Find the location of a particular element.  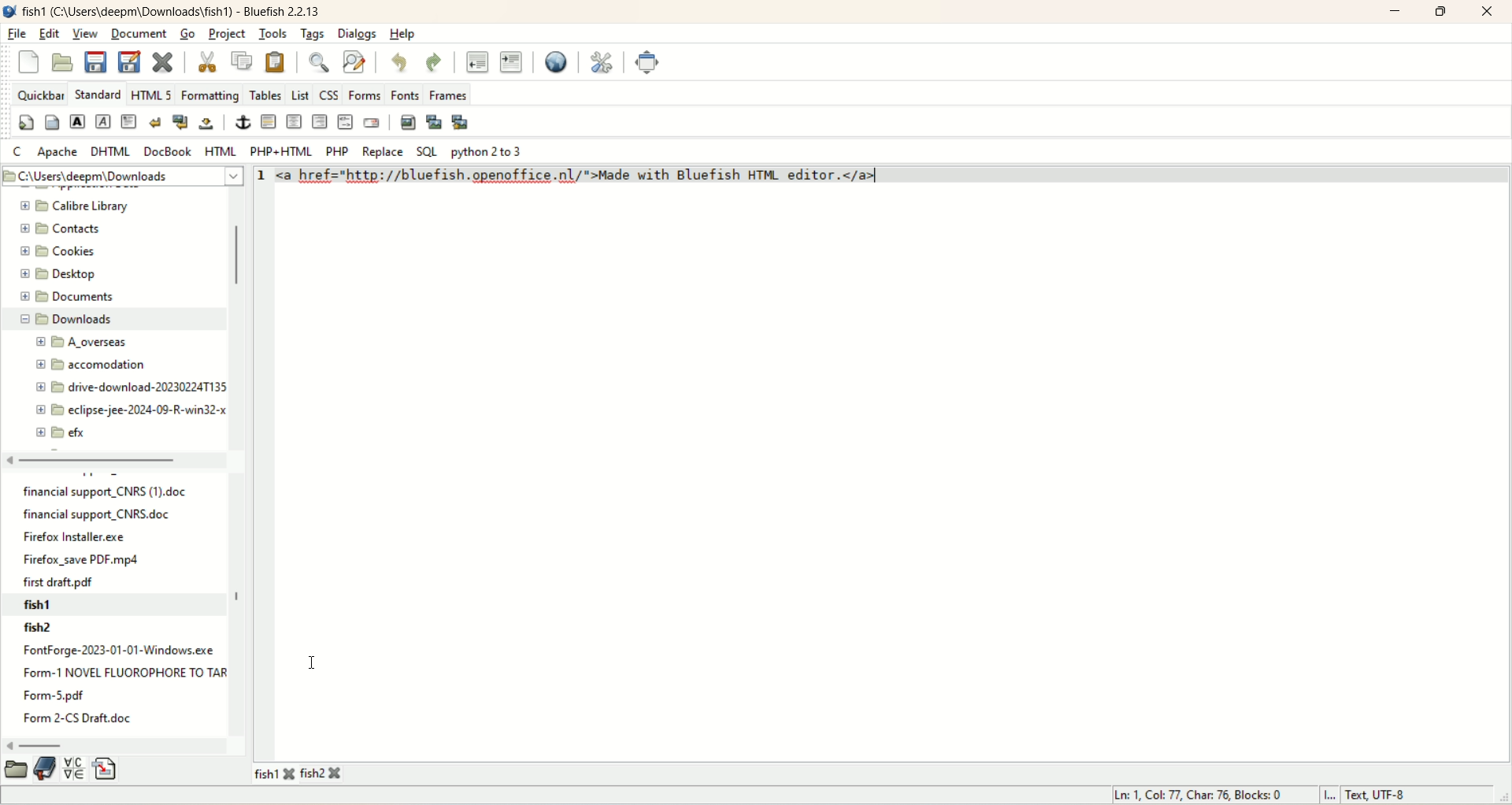

paste is located at coordinates (275, 61).